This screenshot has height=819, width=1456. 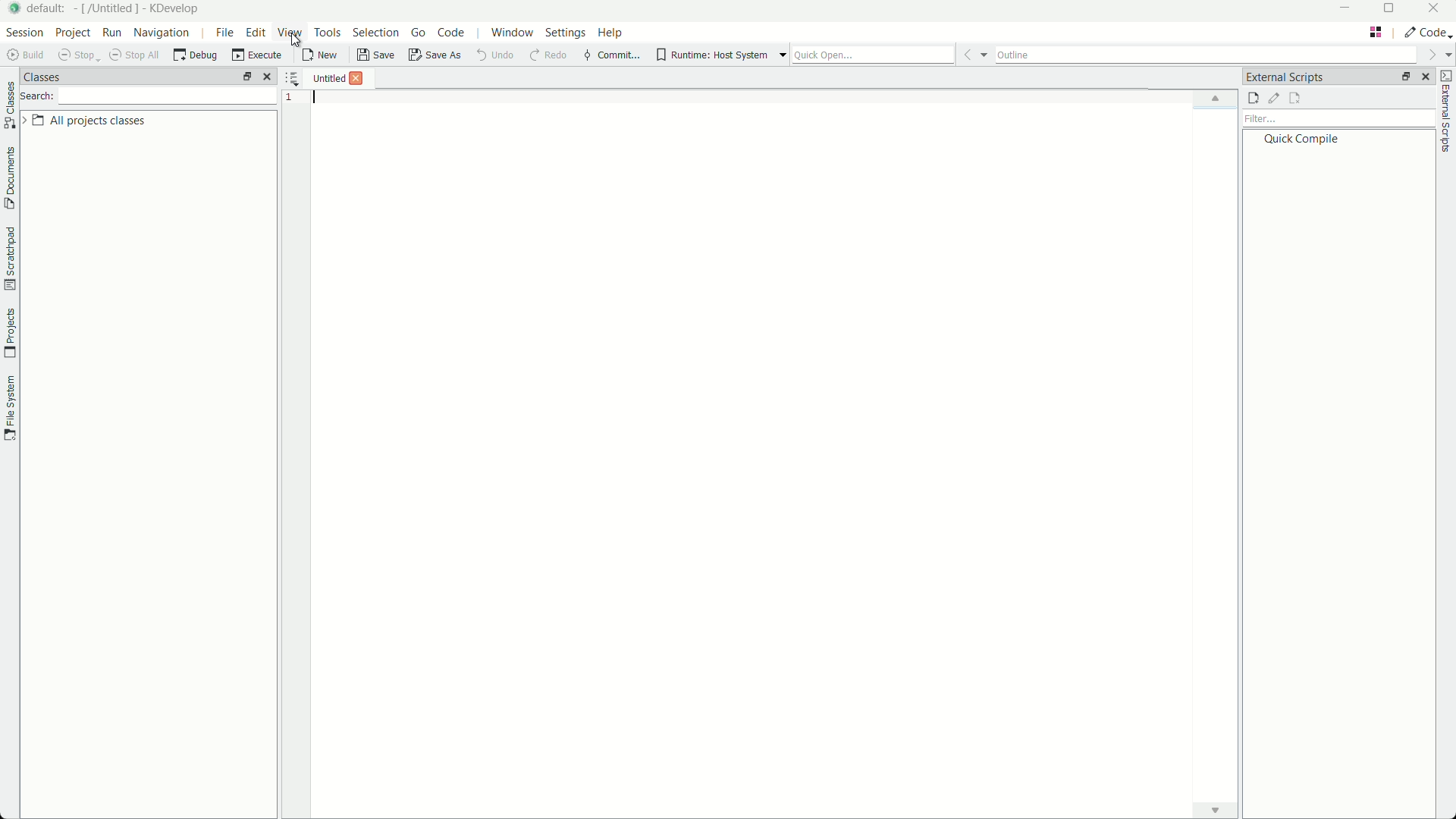 I want to click on arrange tab, so click(x=246, y=76).